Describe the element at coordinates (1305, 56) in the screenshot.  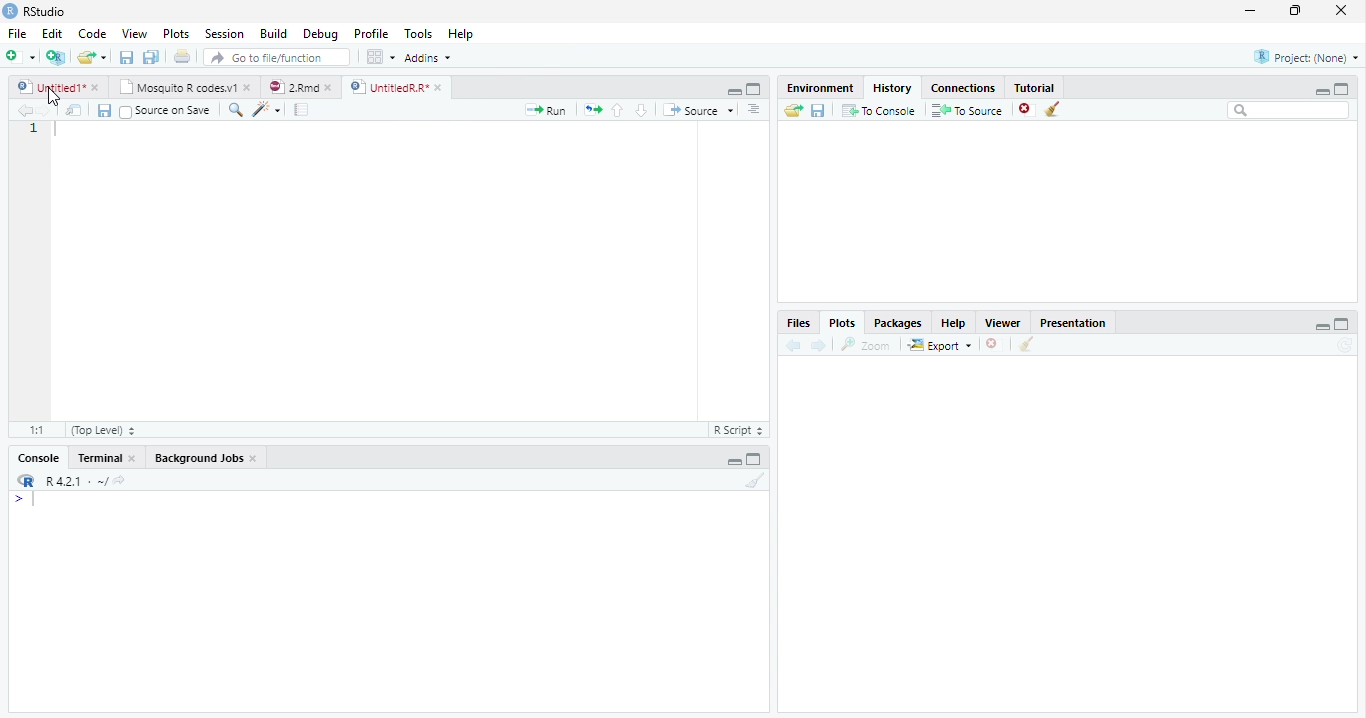
I see `Project(none)` at that location.